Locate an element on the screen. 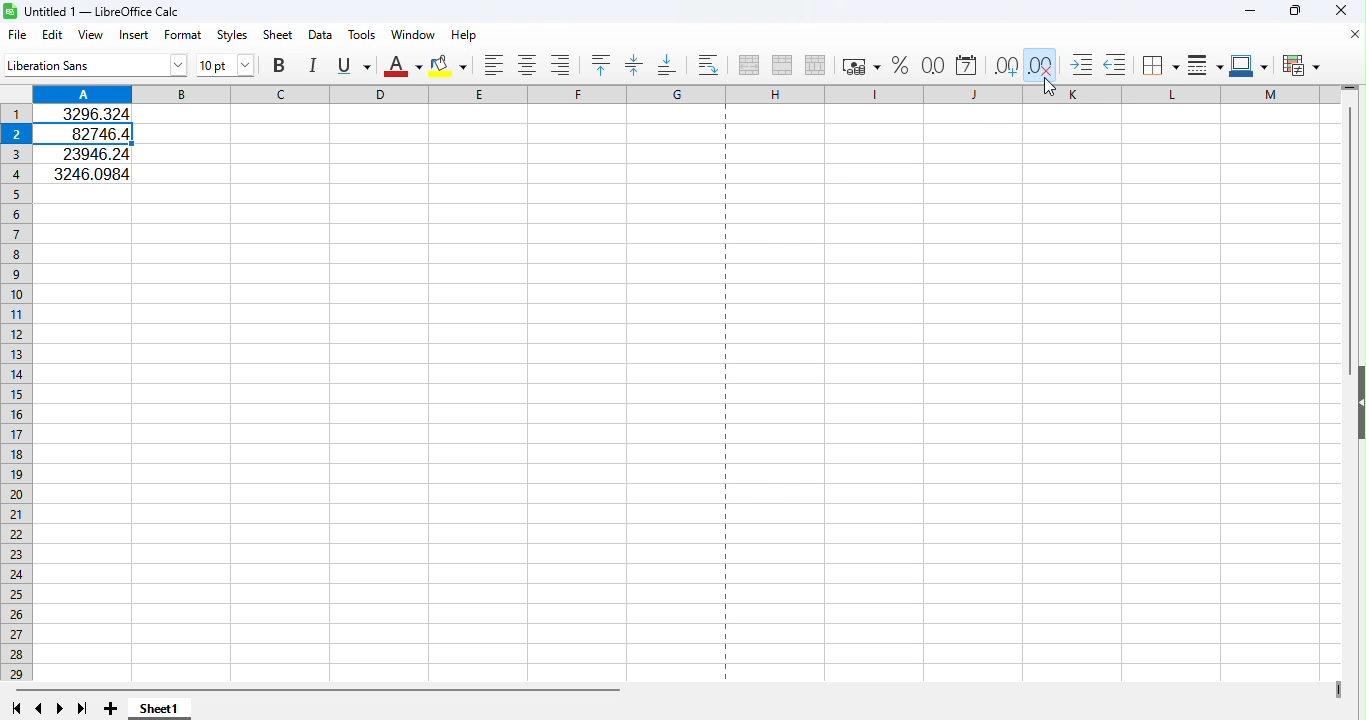 The width and height of the screenshot is (1366, 720). Add new sheet is located at coordinates (110, 708).